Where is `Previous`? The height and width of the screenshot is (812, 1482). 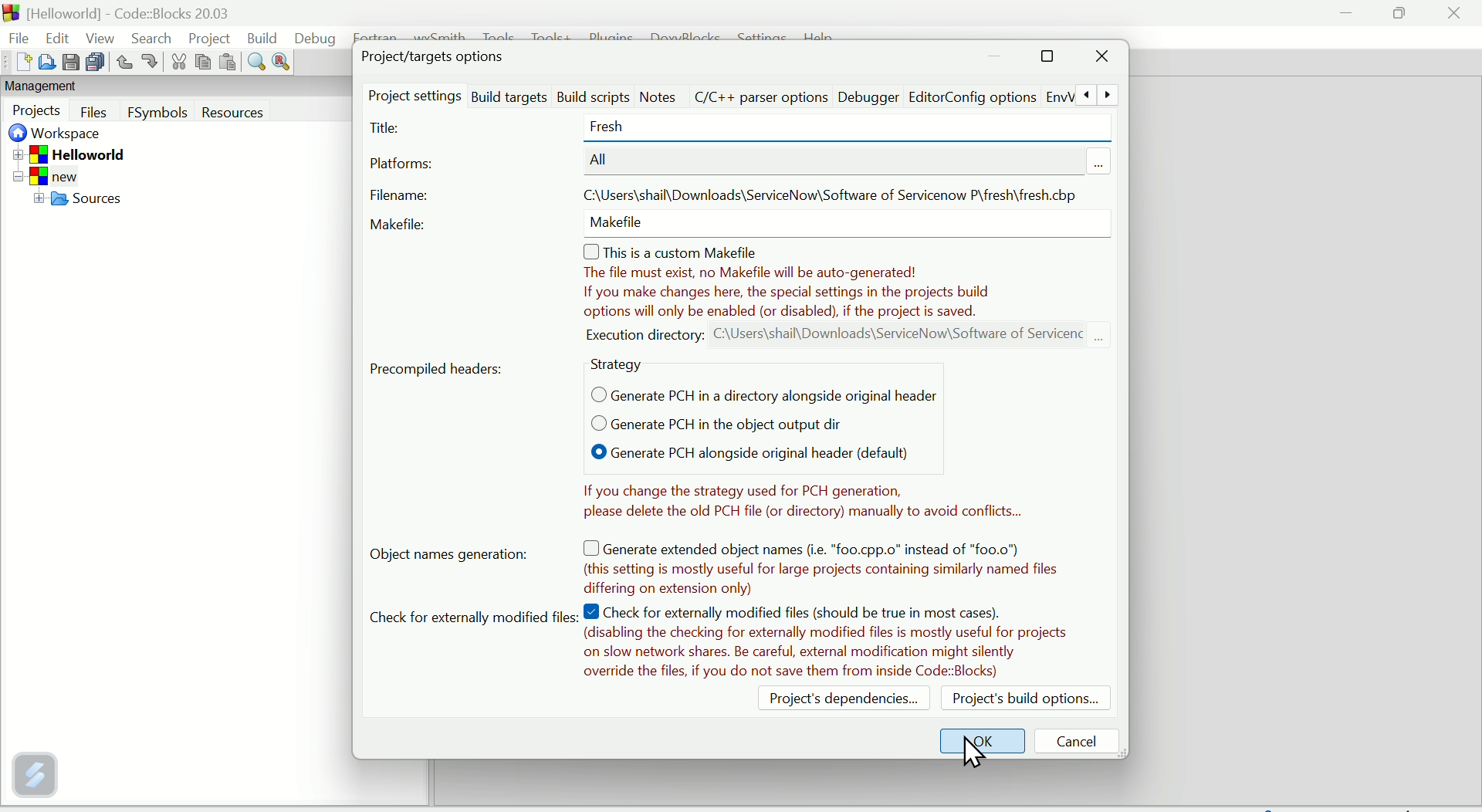 Previous is located at coordinates (1084, 94).